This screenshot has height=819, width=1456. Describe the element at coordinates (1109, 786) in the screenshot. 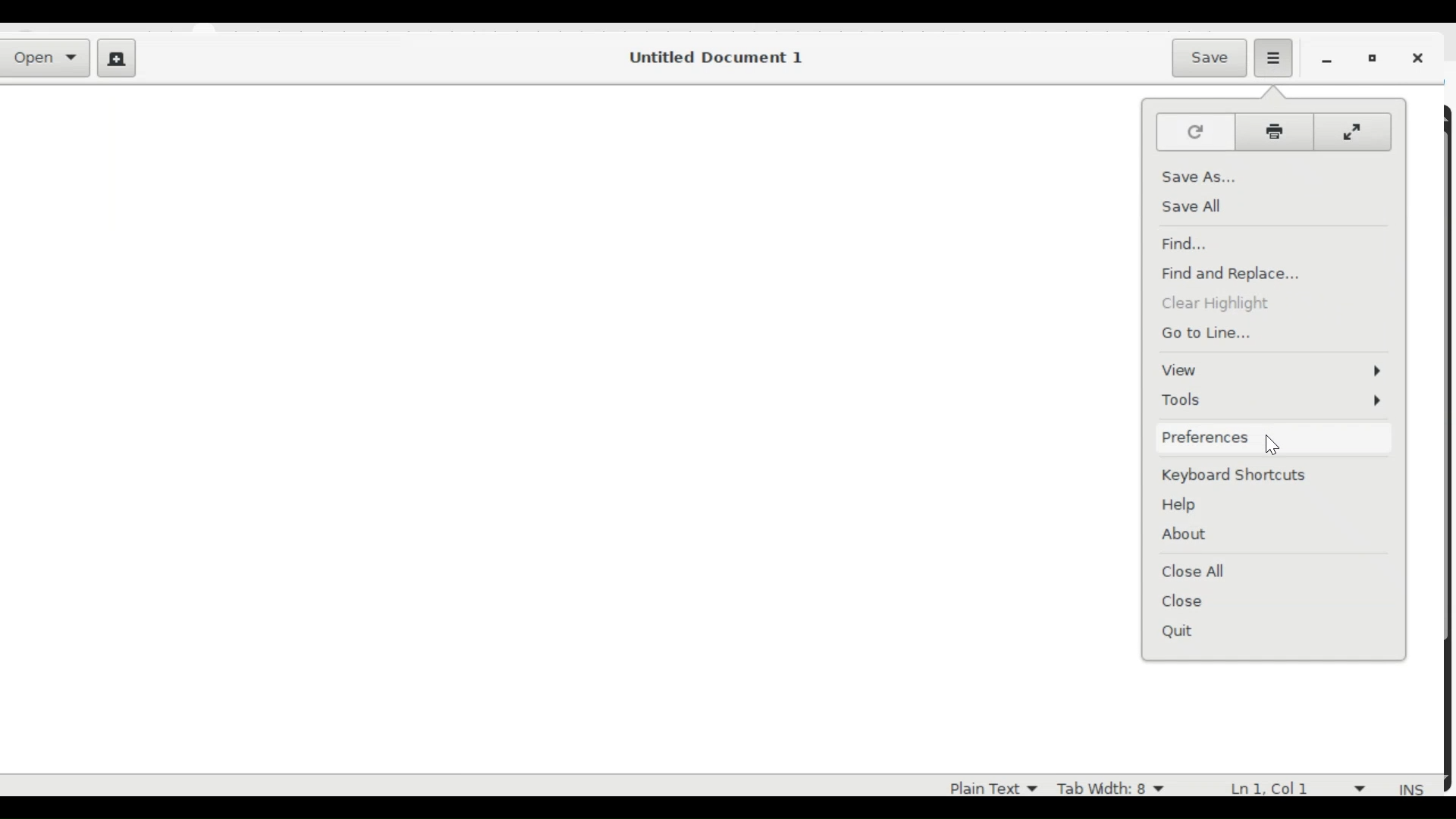

I see `Tab Width` at that location.